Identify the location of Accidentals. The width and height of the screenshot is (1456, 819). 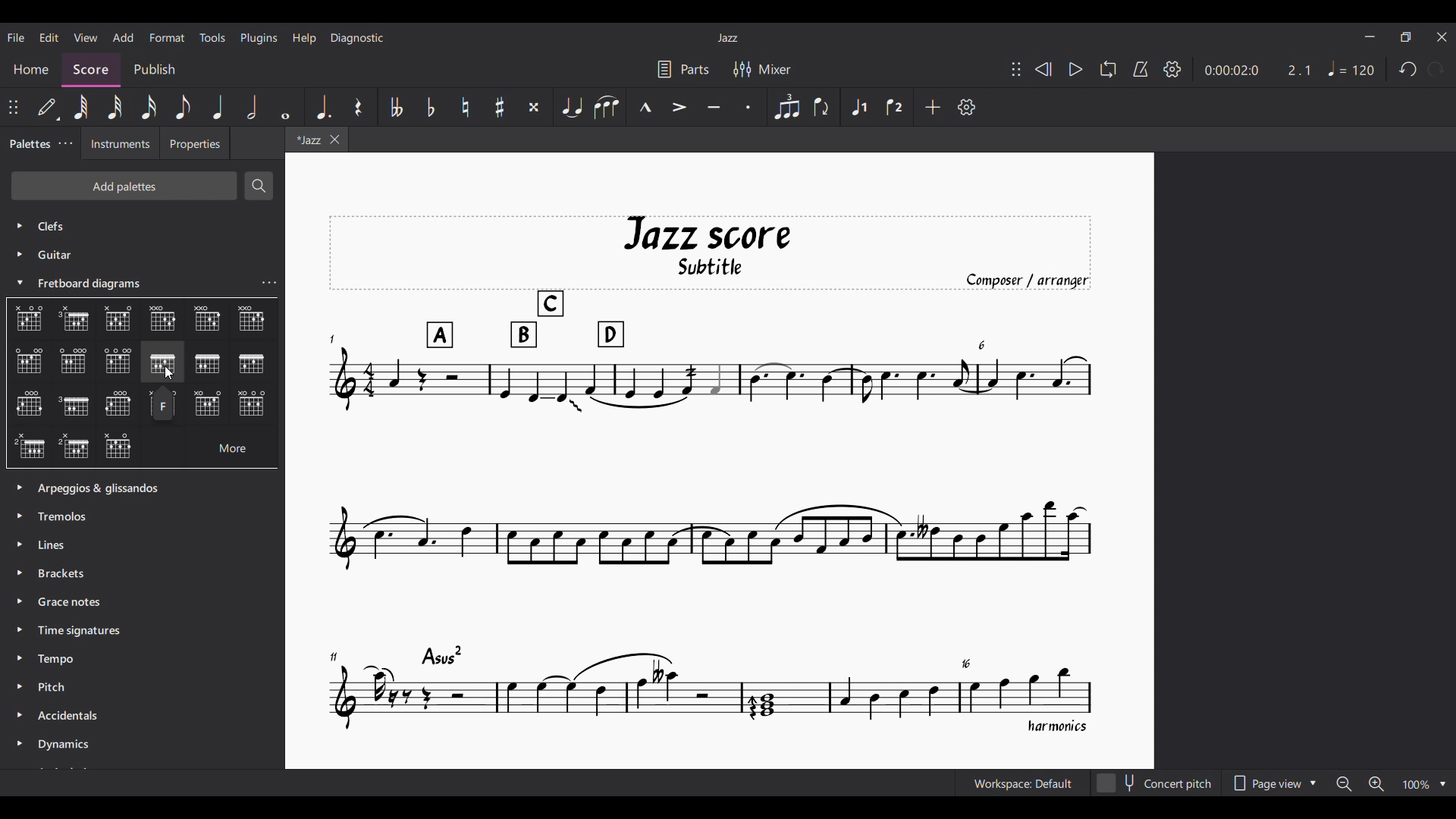
(73, 717).